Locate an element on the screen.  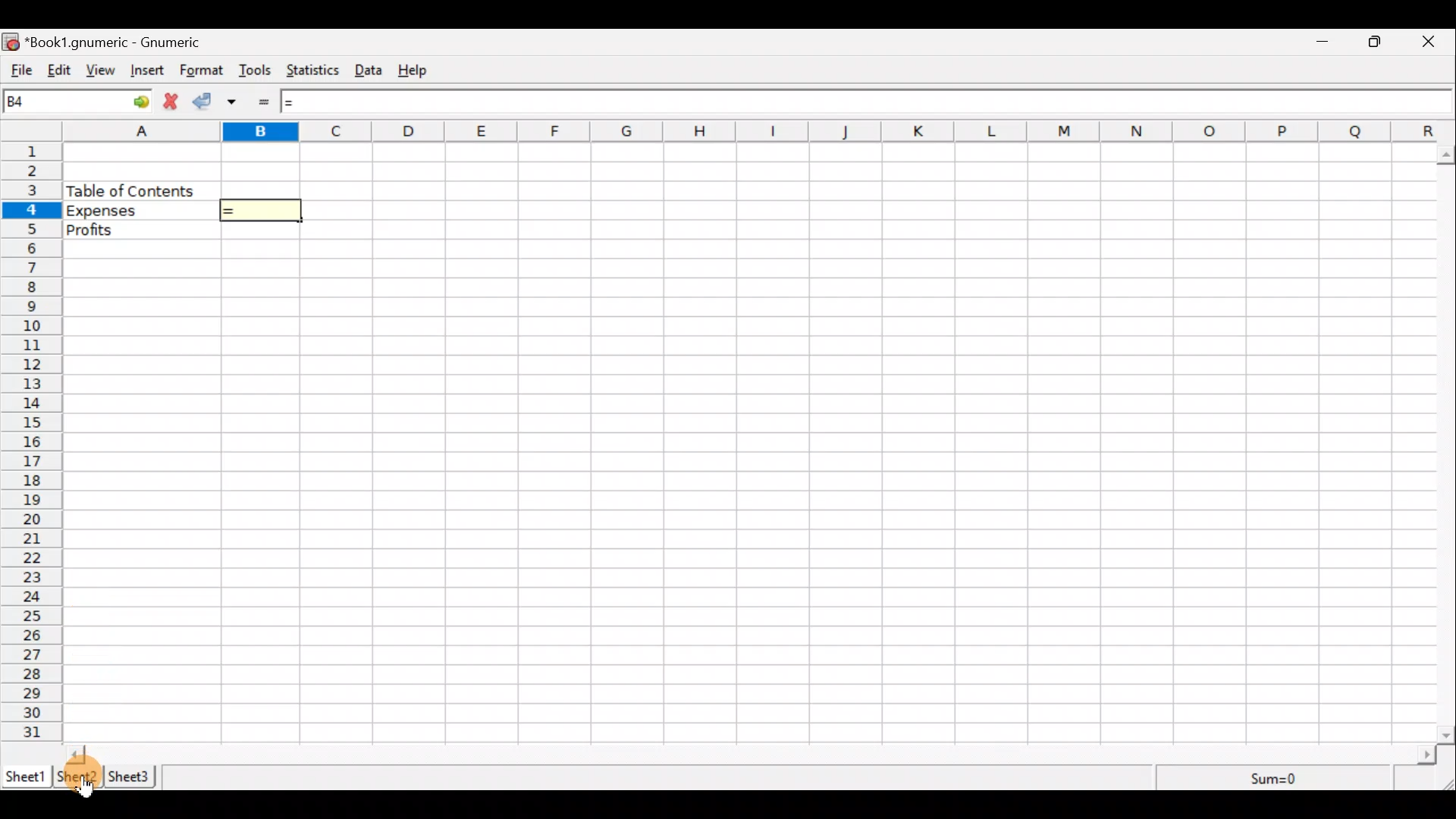
Sheet 2 is located at coordinates (78, 778).